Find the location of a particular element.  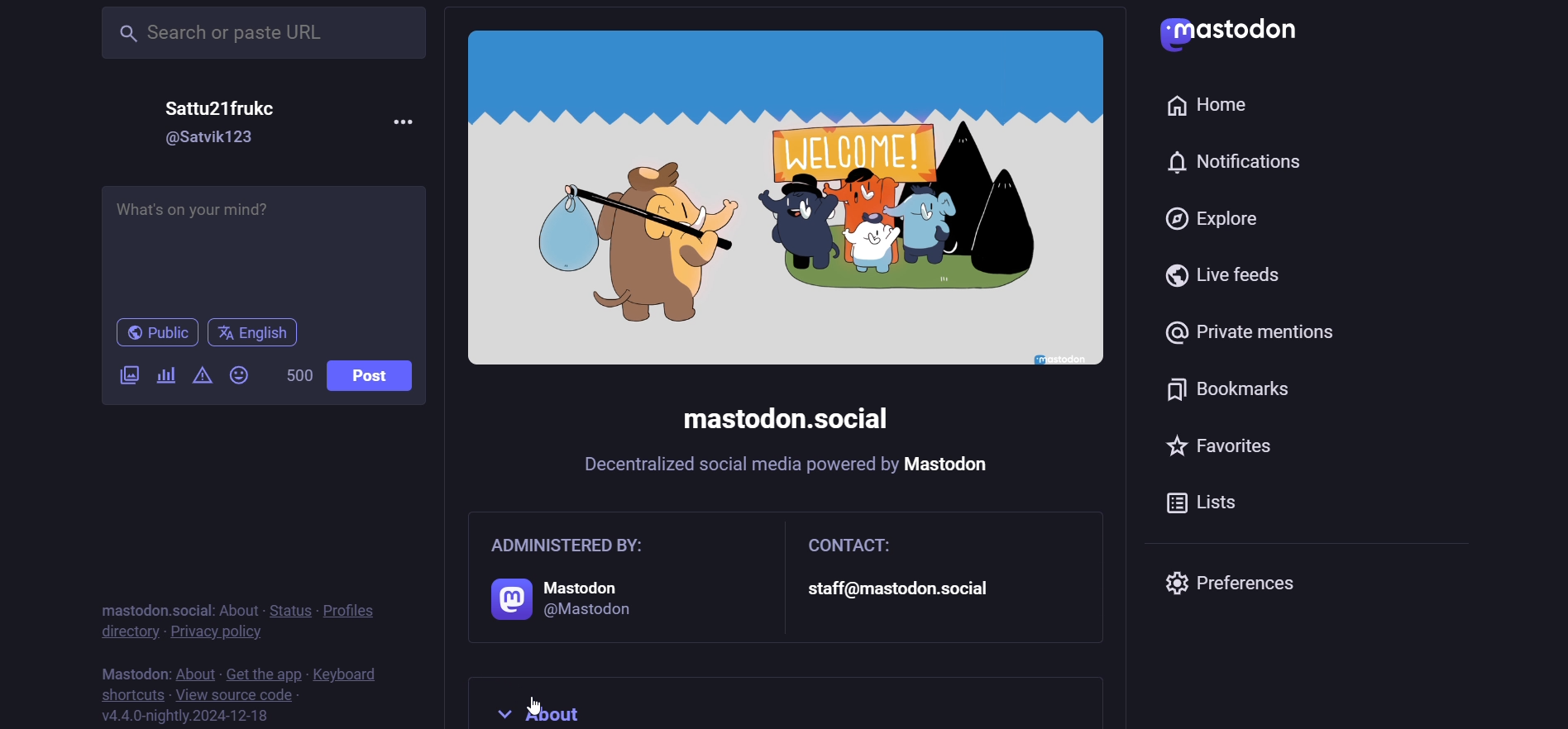

administered by is located at coordinates (613, 579).